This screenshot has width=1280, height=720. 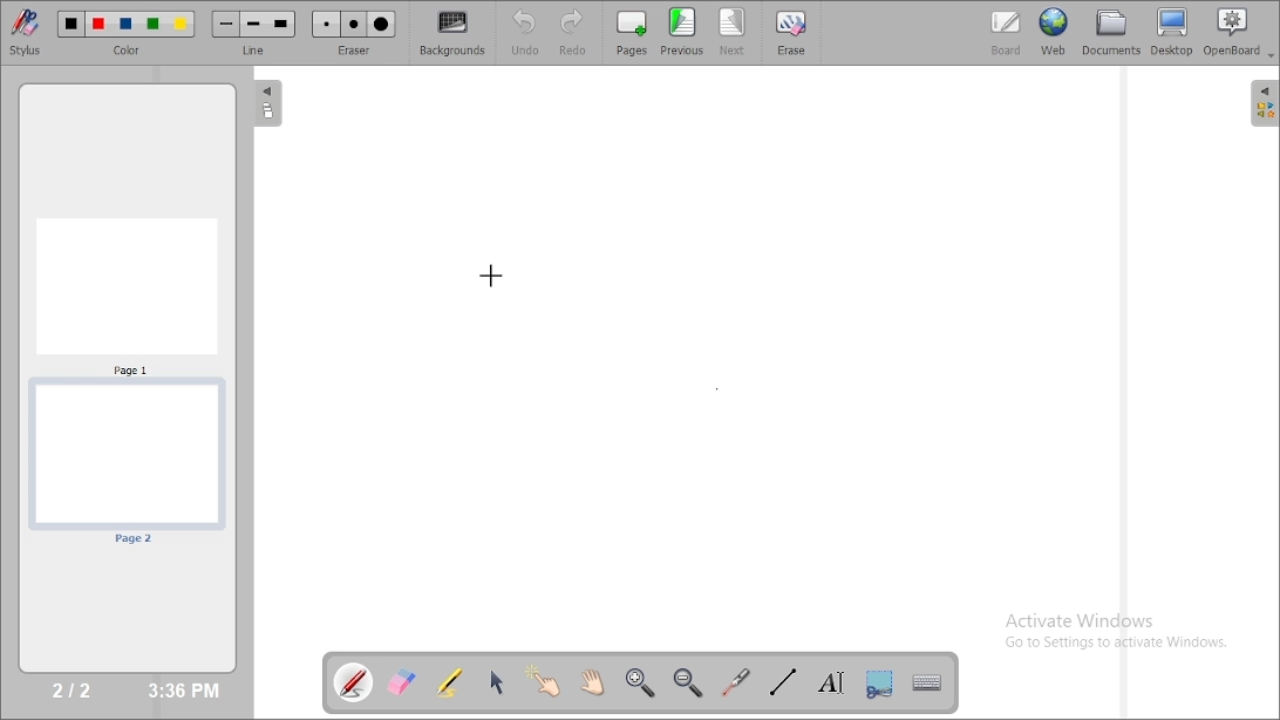 I want to click on board, so click(x=1006, y=33).